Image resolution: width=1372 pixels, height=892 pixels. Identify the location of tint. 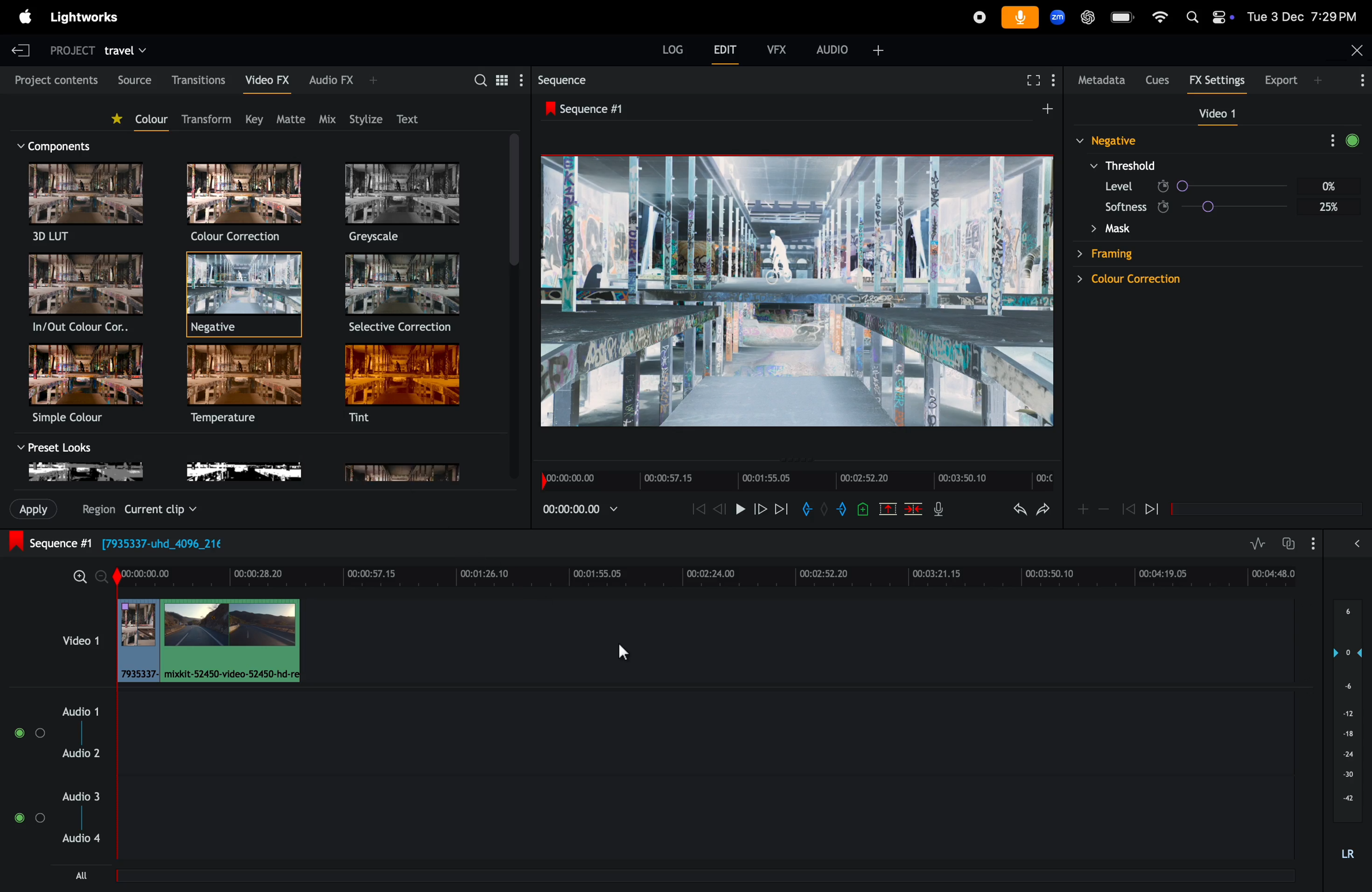
(404, 388).